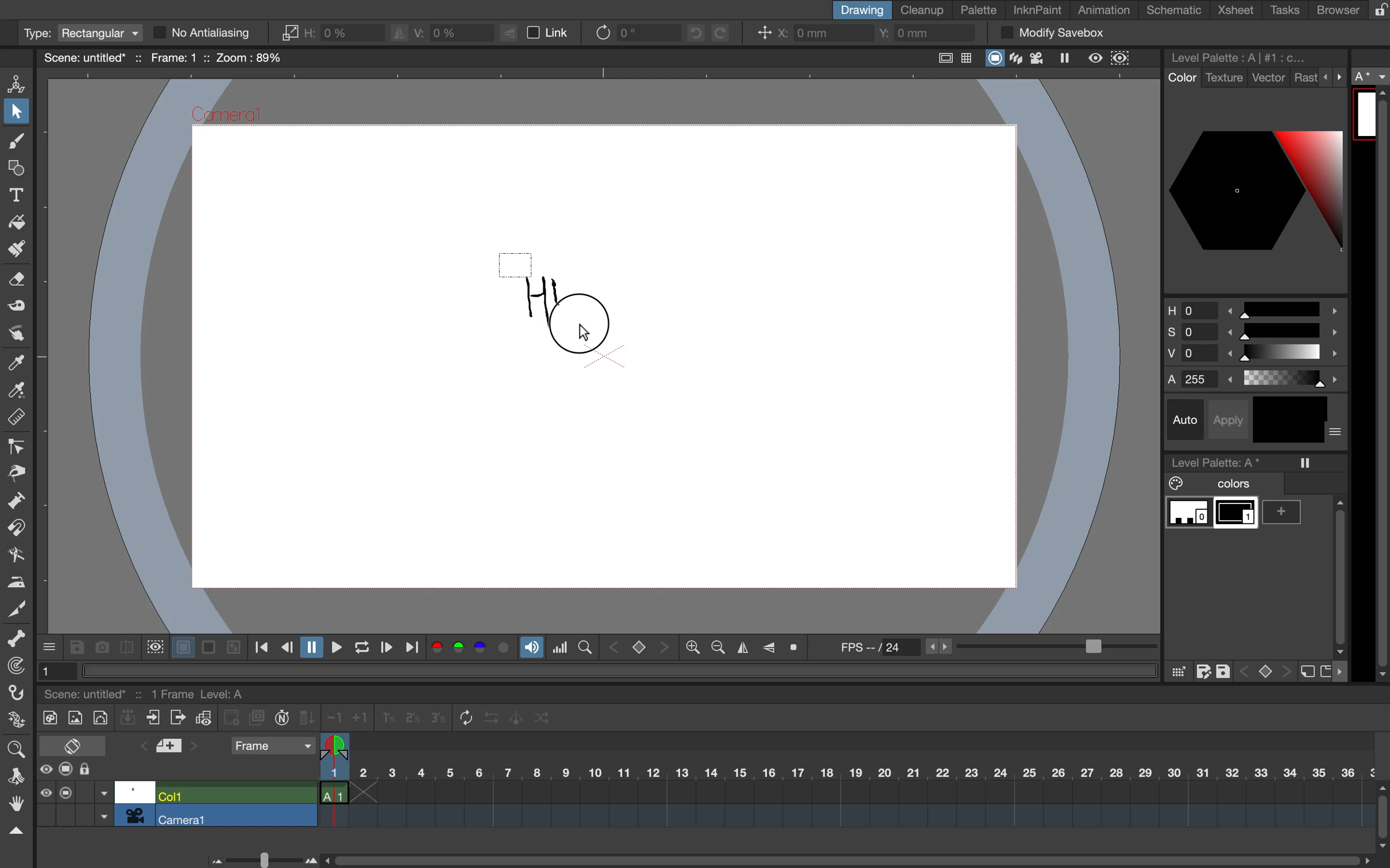  Describe the element at coordinates (1255, 189) in the screenshot. I see `color palettes` at that location.